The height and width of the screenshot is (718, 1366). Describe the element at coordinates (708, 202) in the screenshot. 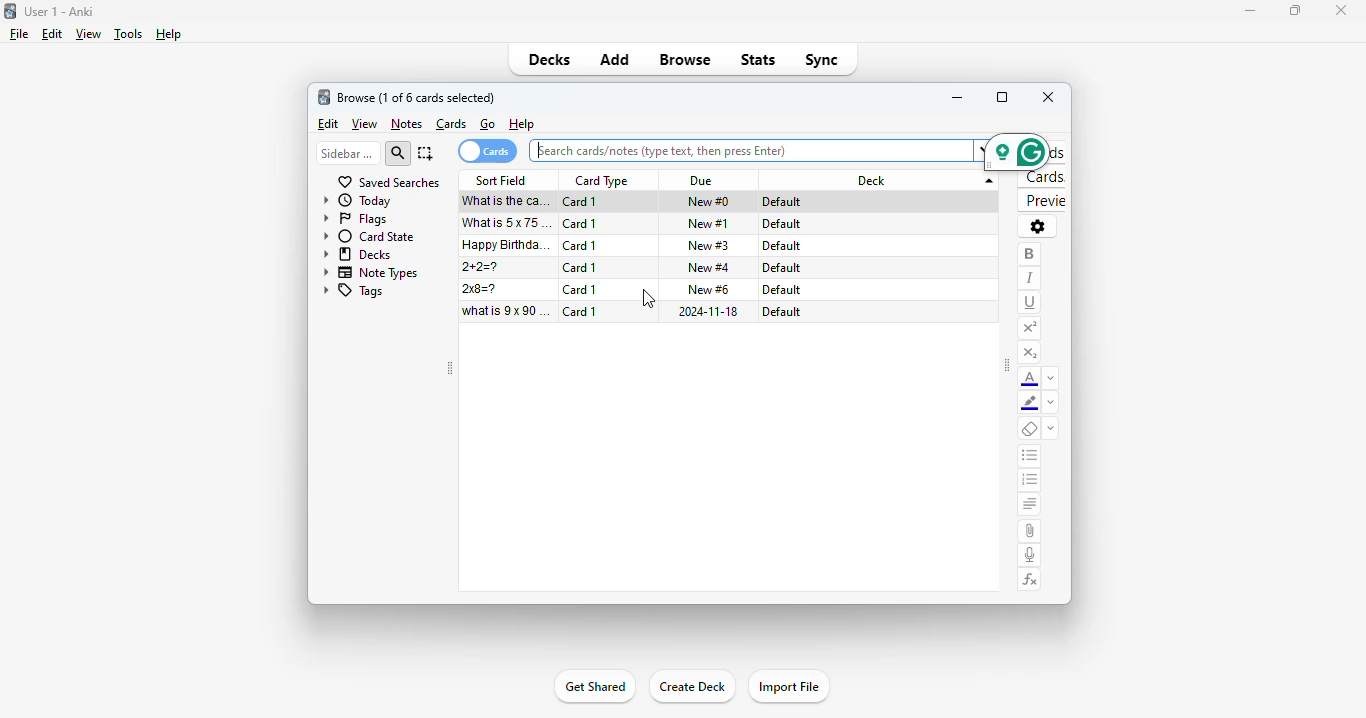

I see `new #0` at that location.